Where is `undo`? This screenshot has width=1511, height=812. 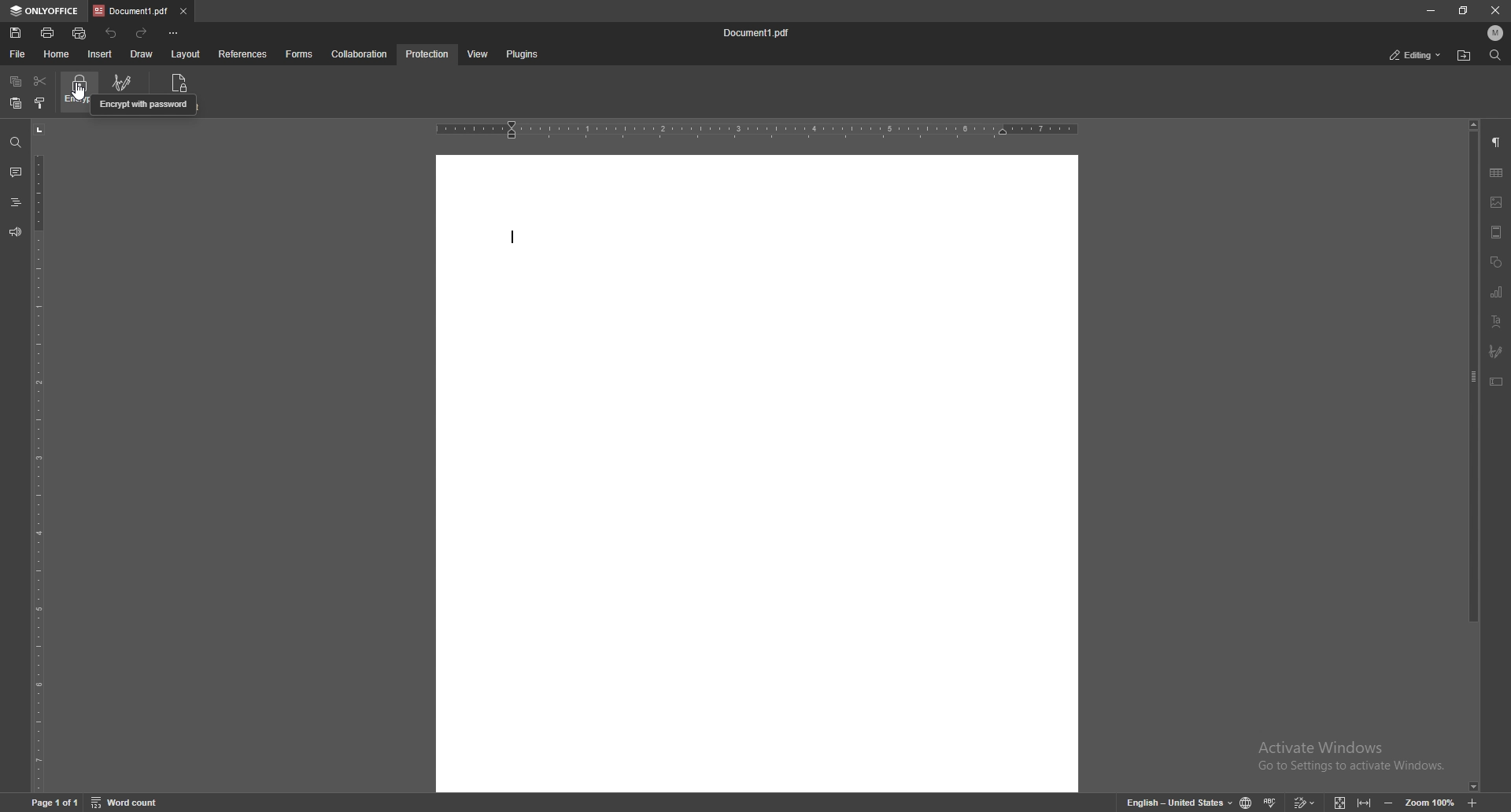
undo is located at coordinates (112, 34).